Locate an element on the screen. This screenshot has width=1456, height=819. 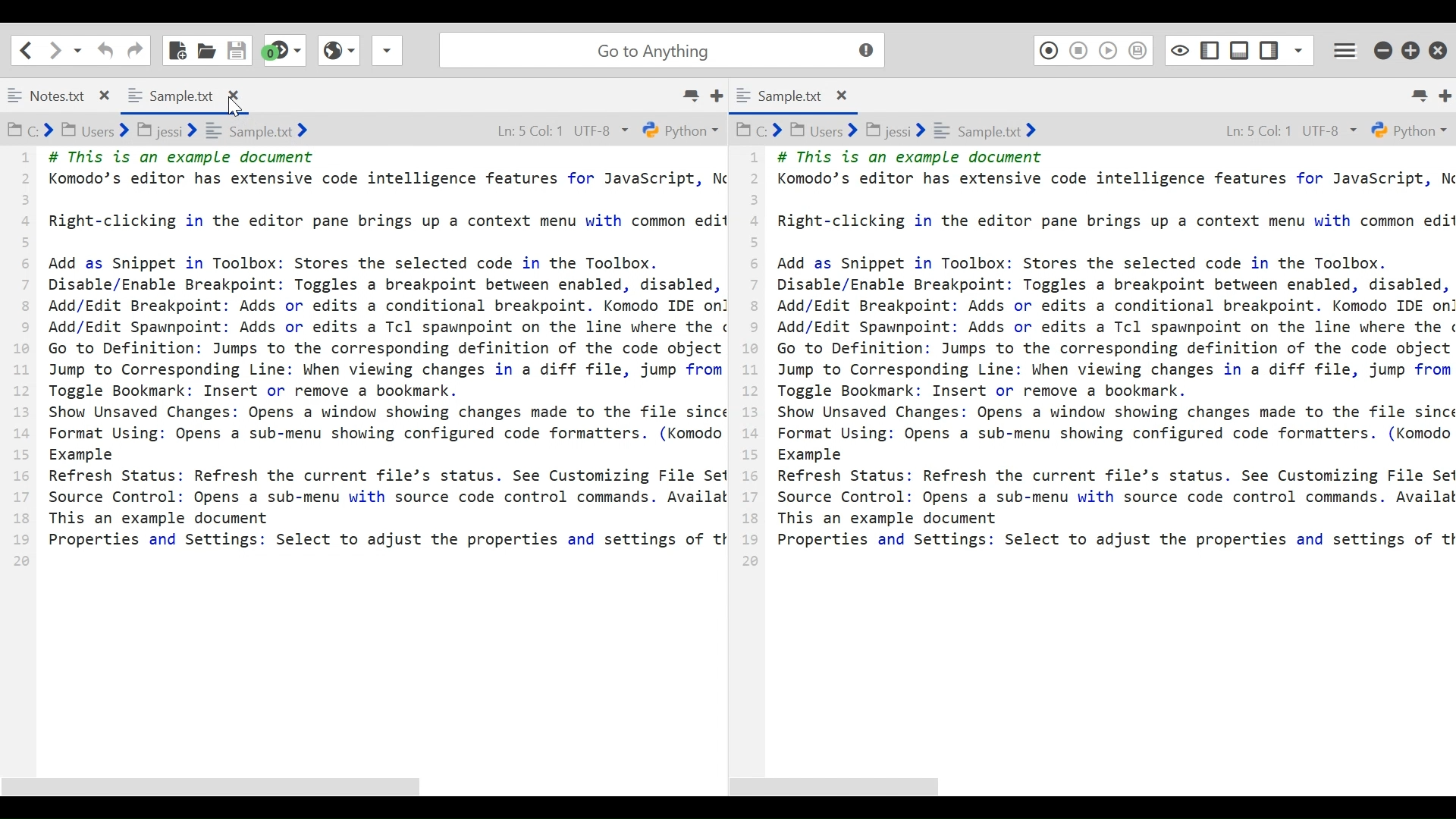
C:> Users> jessi> Sample.txt> is located at coordinates (884, 128).